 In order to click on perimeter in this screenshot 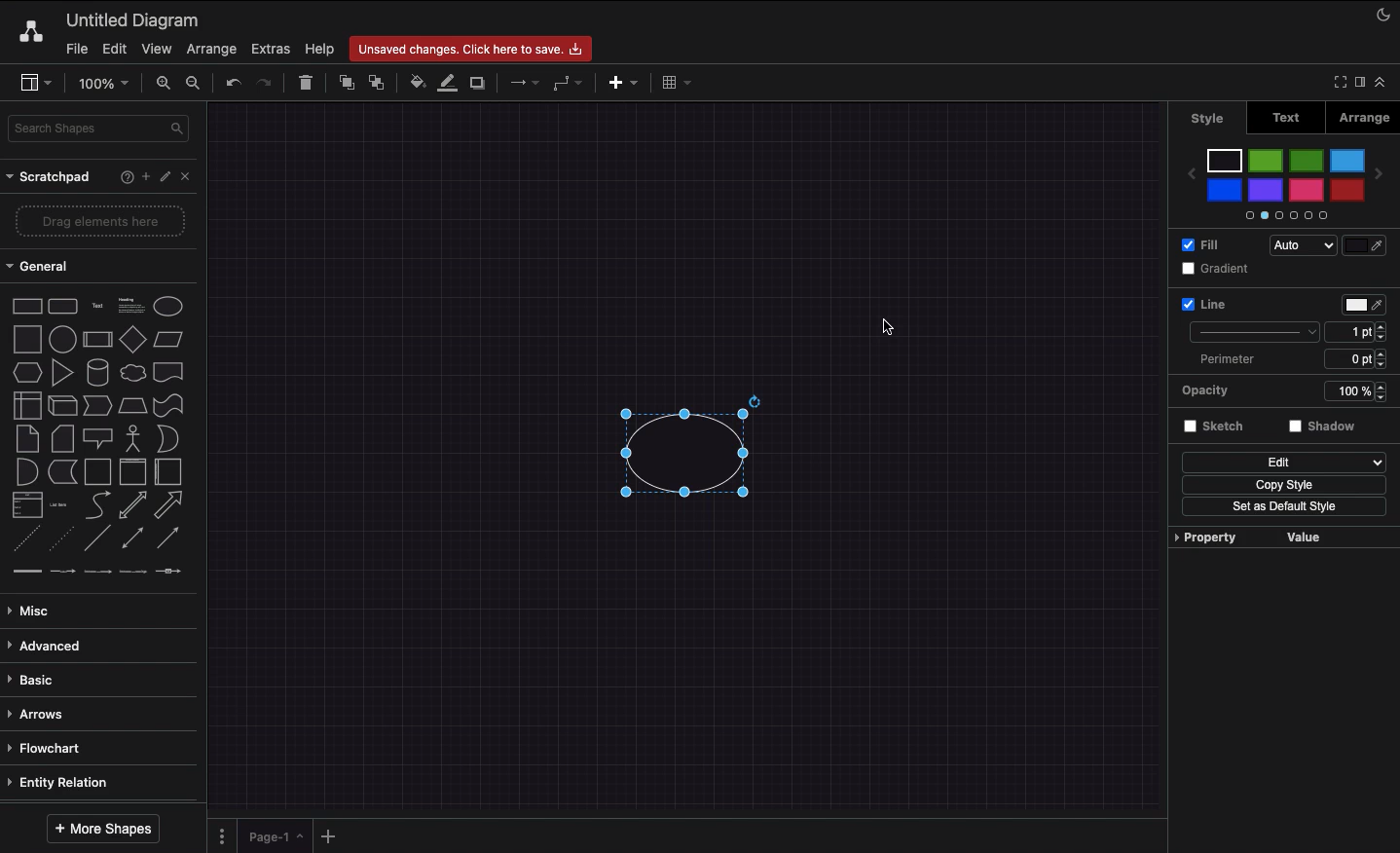, I will do `click(1249, 359)`.